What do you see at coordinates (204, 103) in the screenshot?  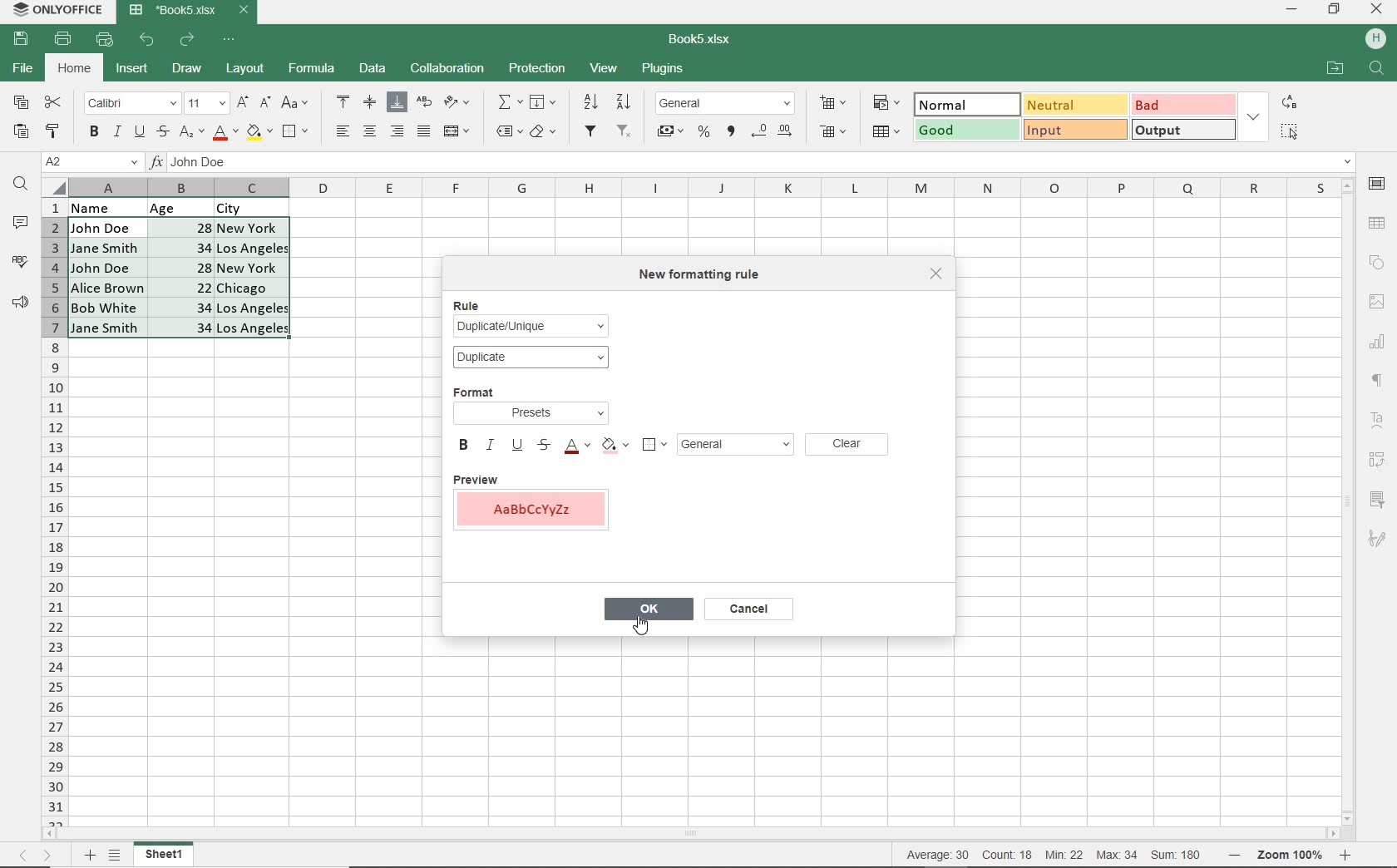 I see `FONT SIZE` at bounding box center [204, 103].